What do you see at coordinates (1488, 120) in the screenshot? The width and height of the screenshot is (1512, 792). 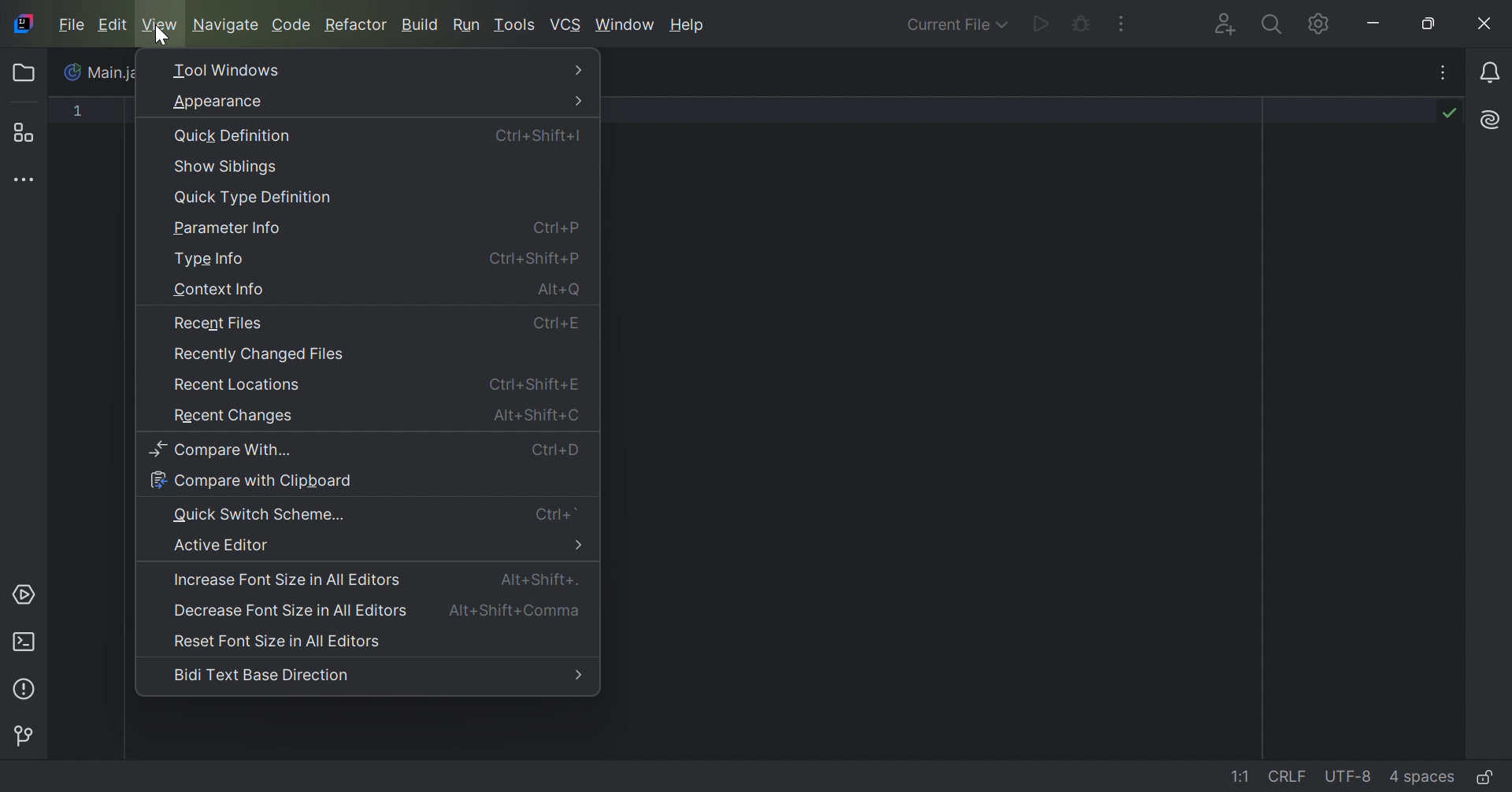 I see `AI Assistant` at bounding box center [1488, 120].